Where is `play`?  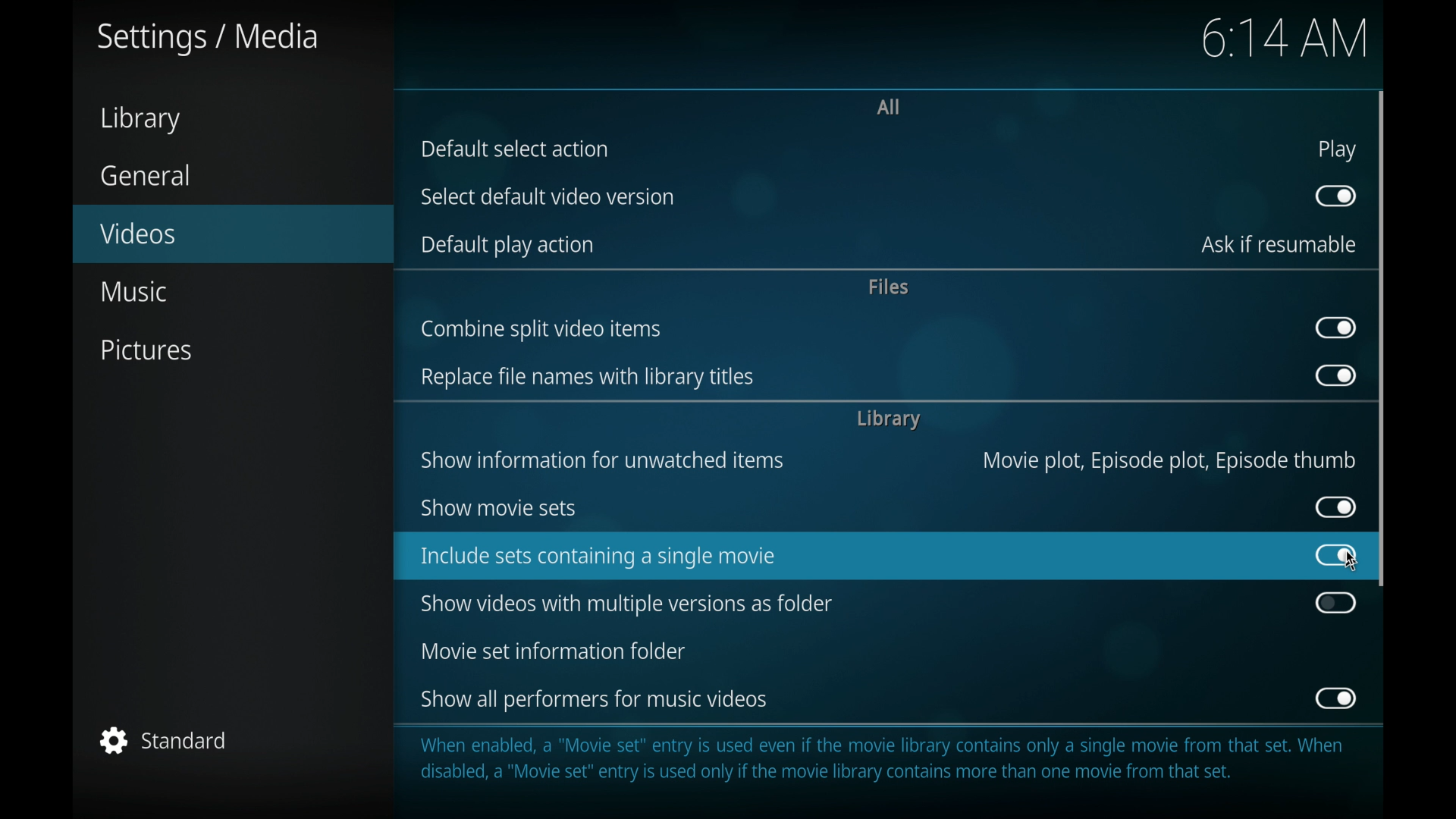
play is located at coordinates (1337, 150).